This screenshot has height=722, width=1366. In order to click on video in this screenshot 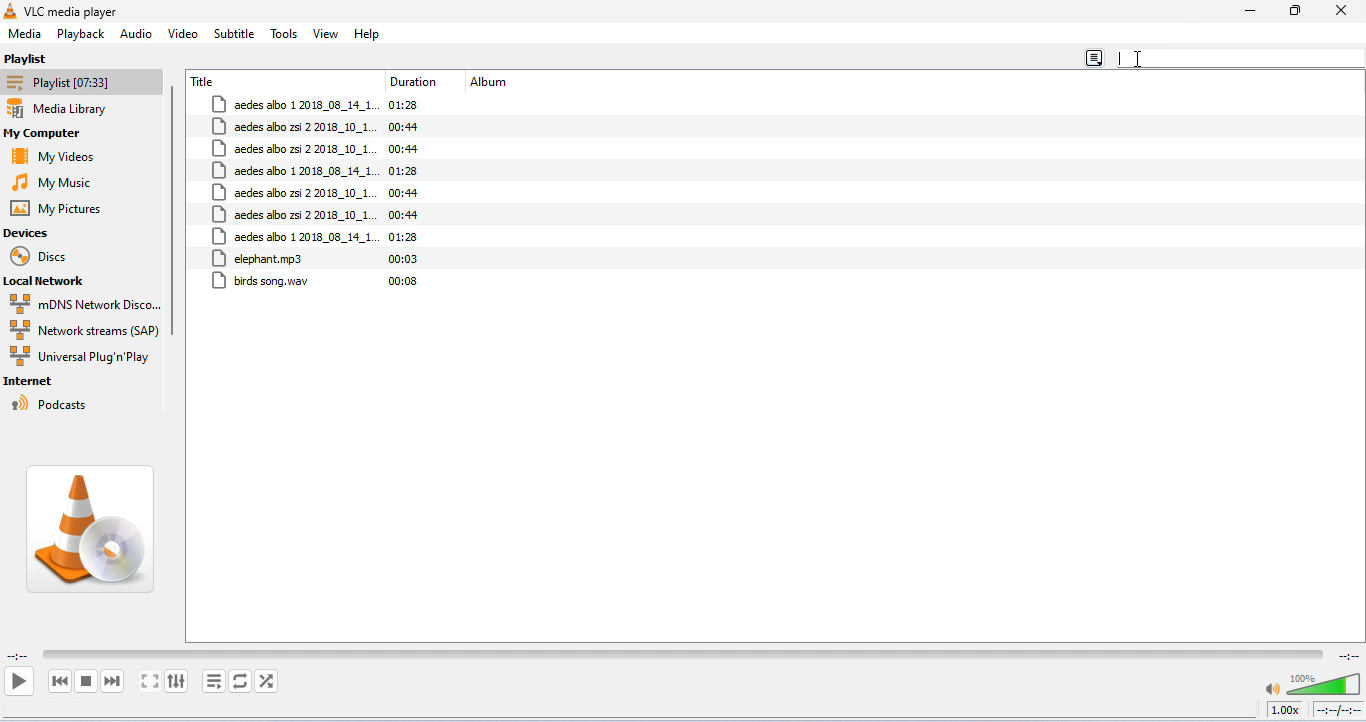, I will do `click(183, 32)`.